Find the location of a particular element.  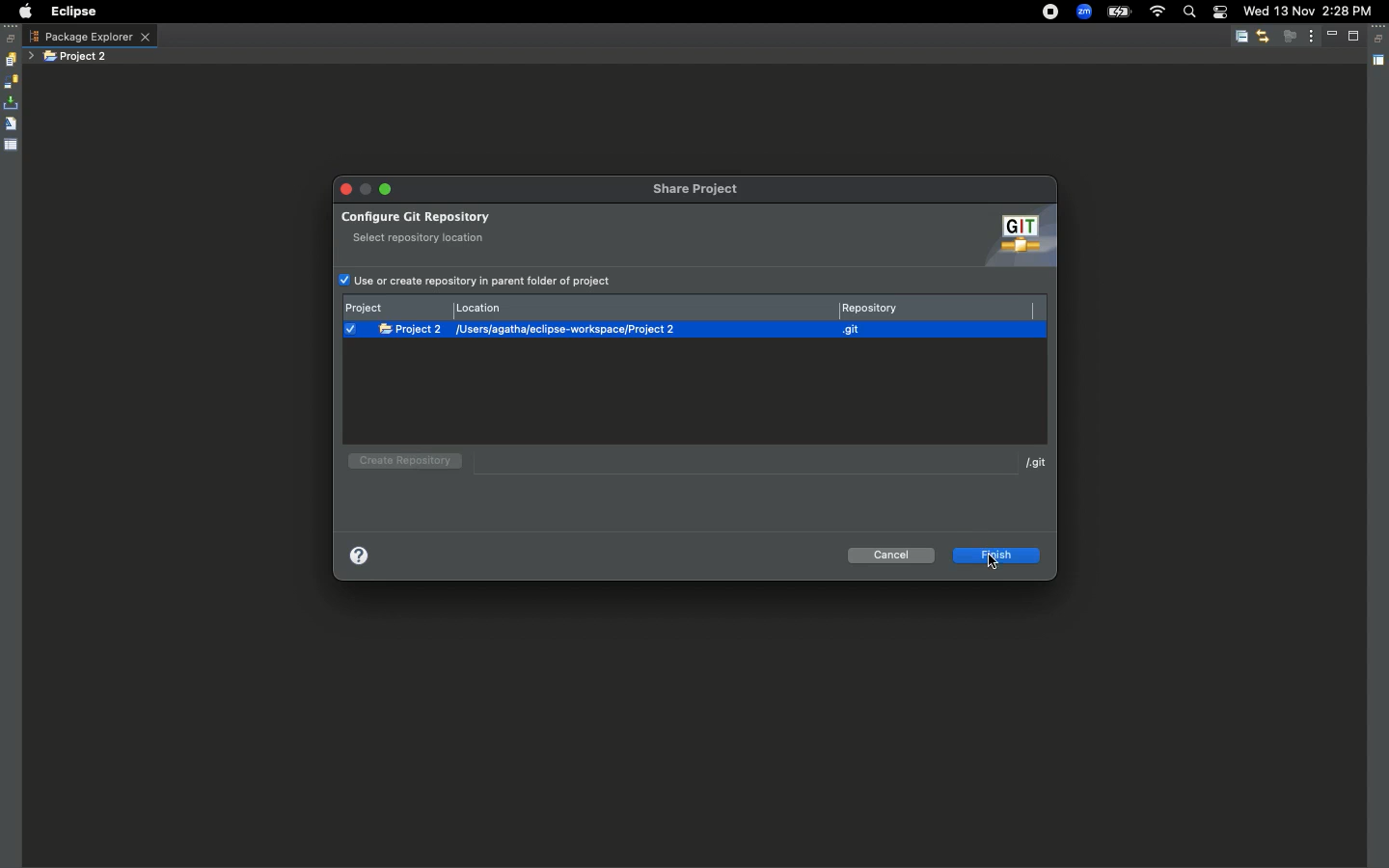

View menu is located at coordinates (1312, 35).